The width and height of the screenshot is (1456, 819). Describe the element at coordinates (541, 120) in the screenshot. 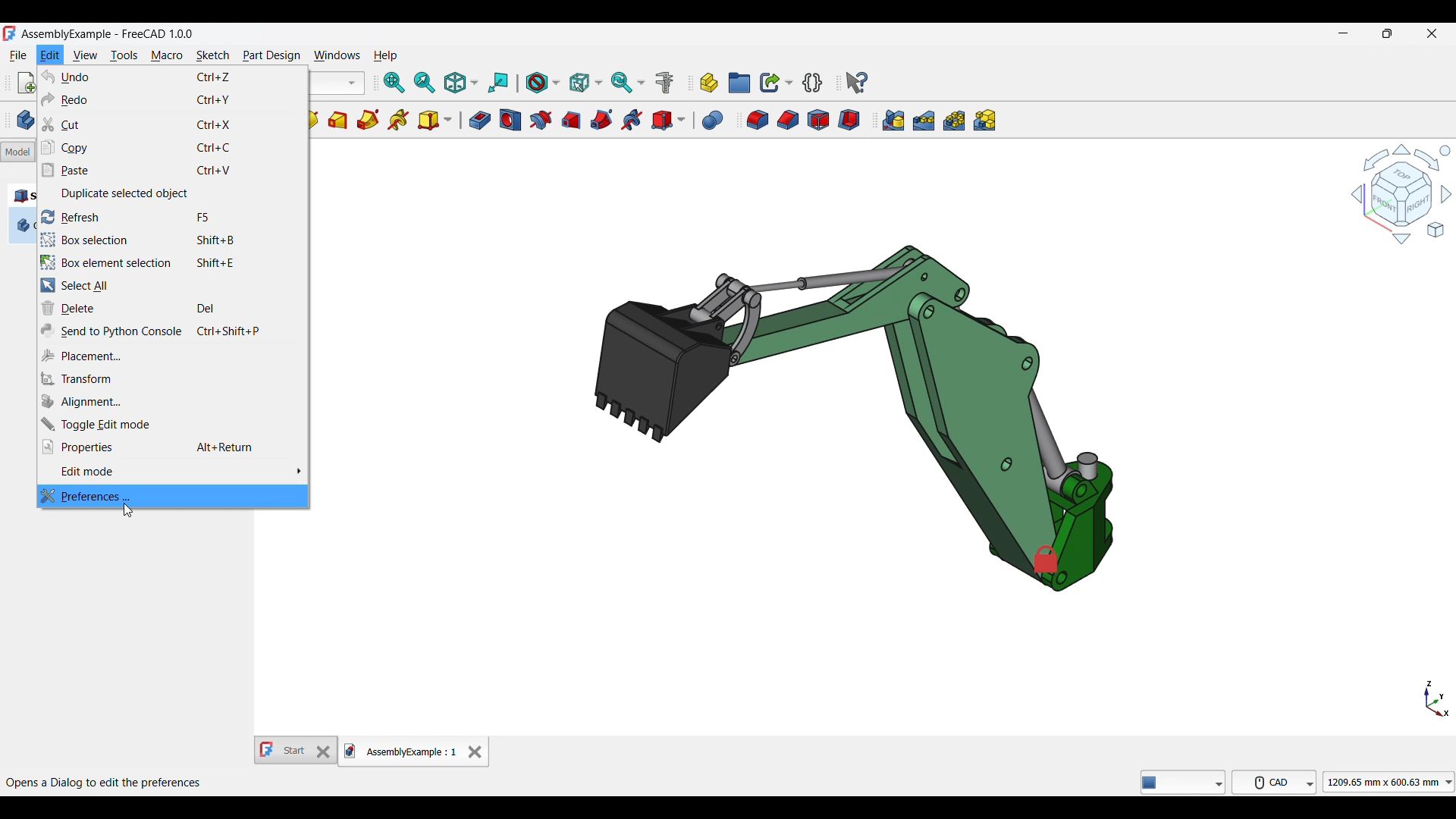

I see `Groove` at that location.